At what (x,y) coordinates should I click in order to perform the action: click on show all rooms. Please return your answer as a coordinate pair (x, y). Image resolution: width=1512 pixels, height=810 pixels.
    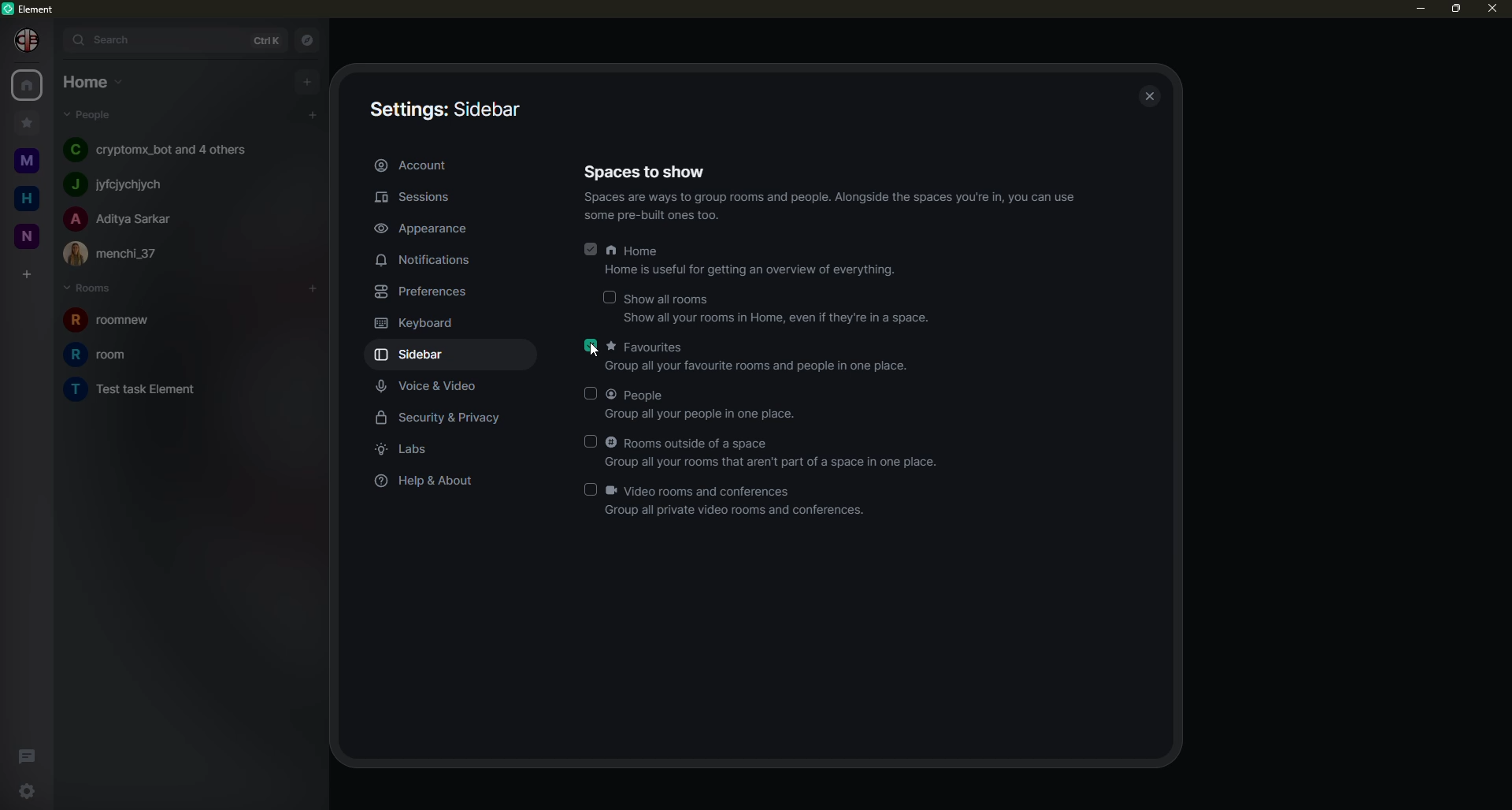
    Looking at the image, I should click on (777, 310).